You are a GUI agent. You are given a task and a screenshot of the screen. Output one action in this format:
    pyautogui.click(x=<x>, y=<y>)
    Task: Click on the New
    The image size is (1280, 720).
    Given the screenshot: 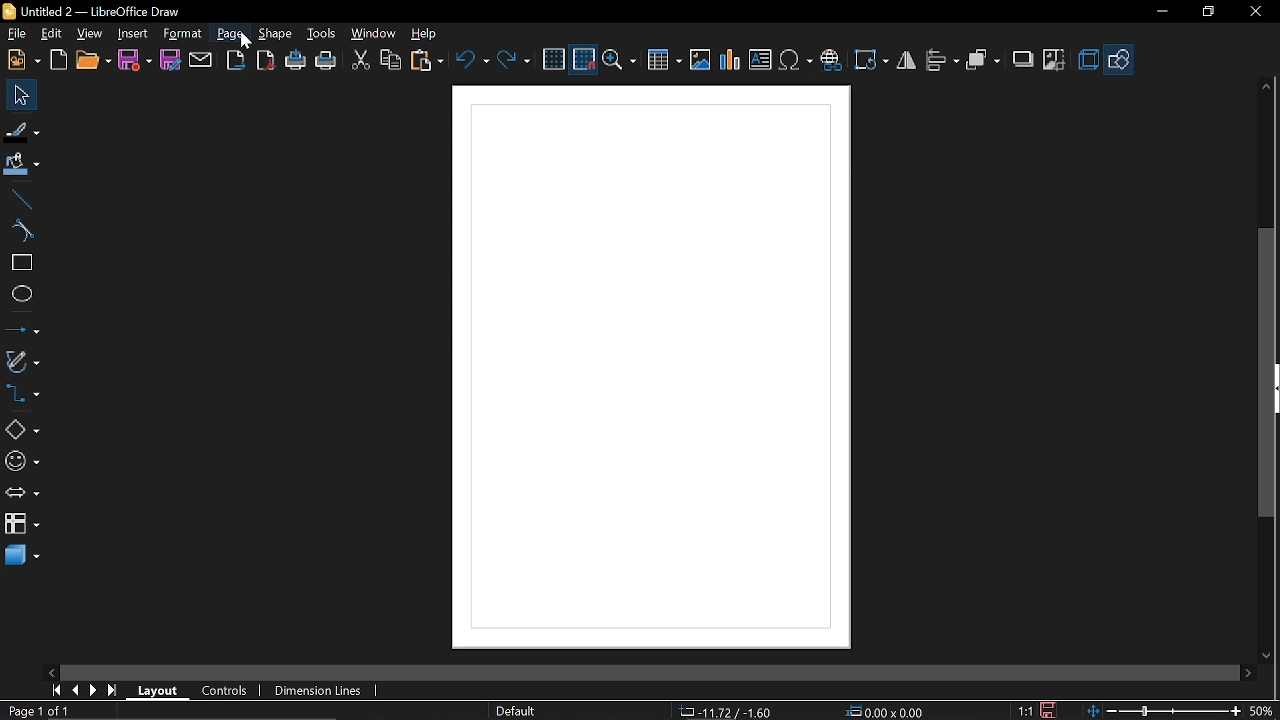 What is the action you would take?
    pyautogui.click(x=24, y=60)
    